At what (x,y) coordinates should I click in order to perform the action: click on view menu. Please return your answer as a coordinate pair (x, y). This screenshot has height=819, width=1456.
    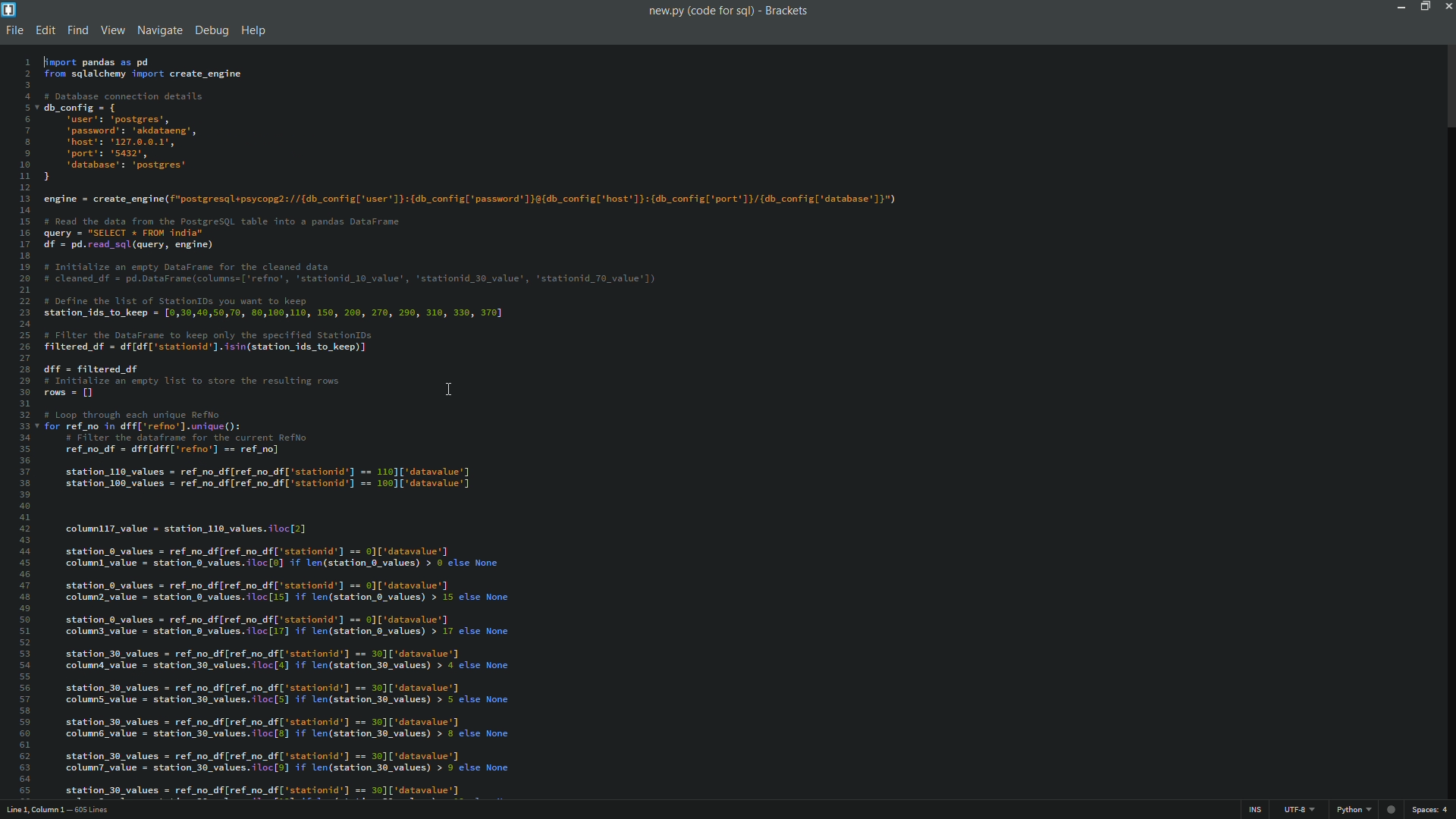
    Looking at the image, I should click on (110, 30).